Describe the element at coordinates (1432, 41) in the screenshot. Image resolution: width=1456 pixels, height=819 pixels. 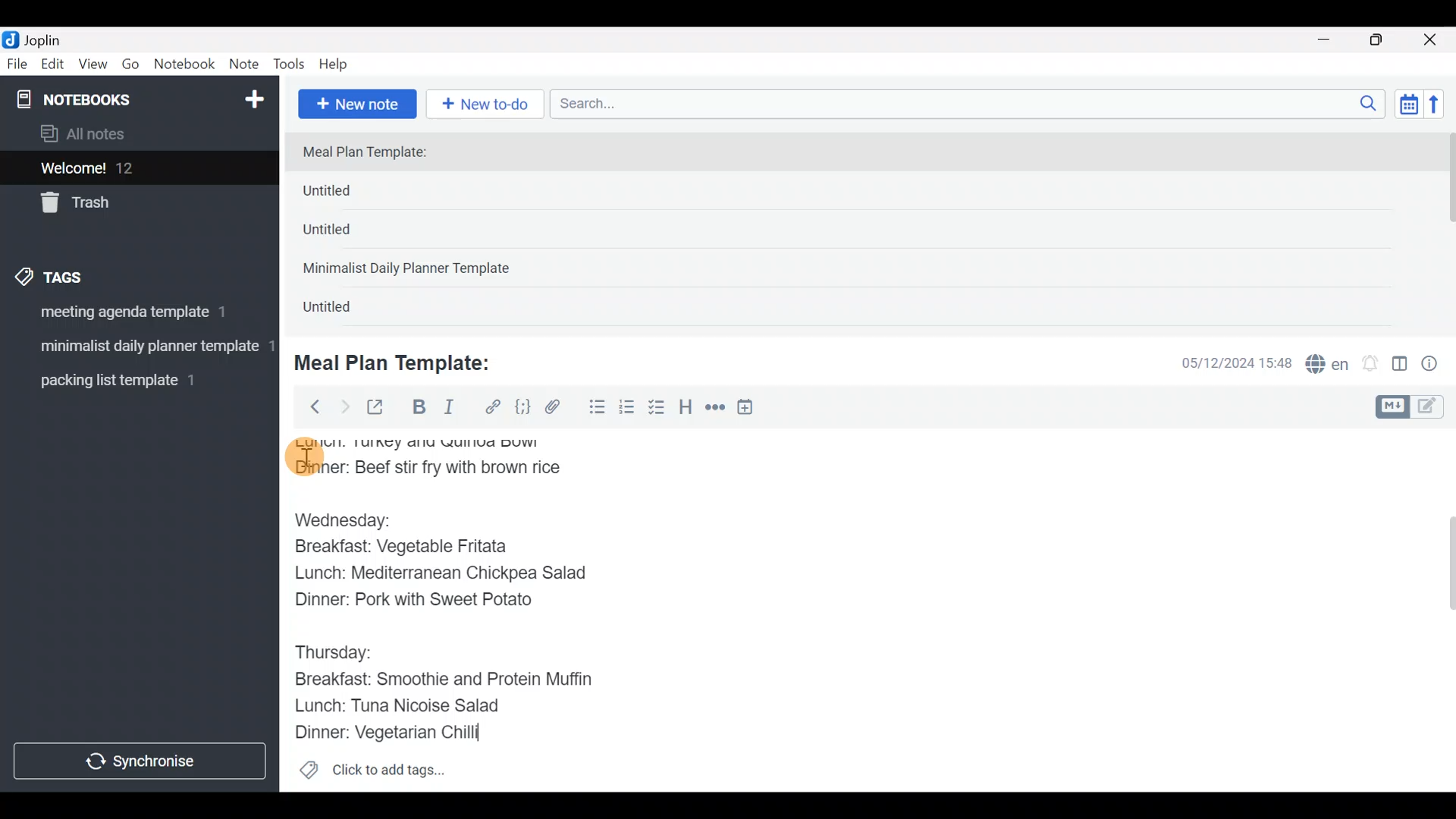
I see `Close` at that location.